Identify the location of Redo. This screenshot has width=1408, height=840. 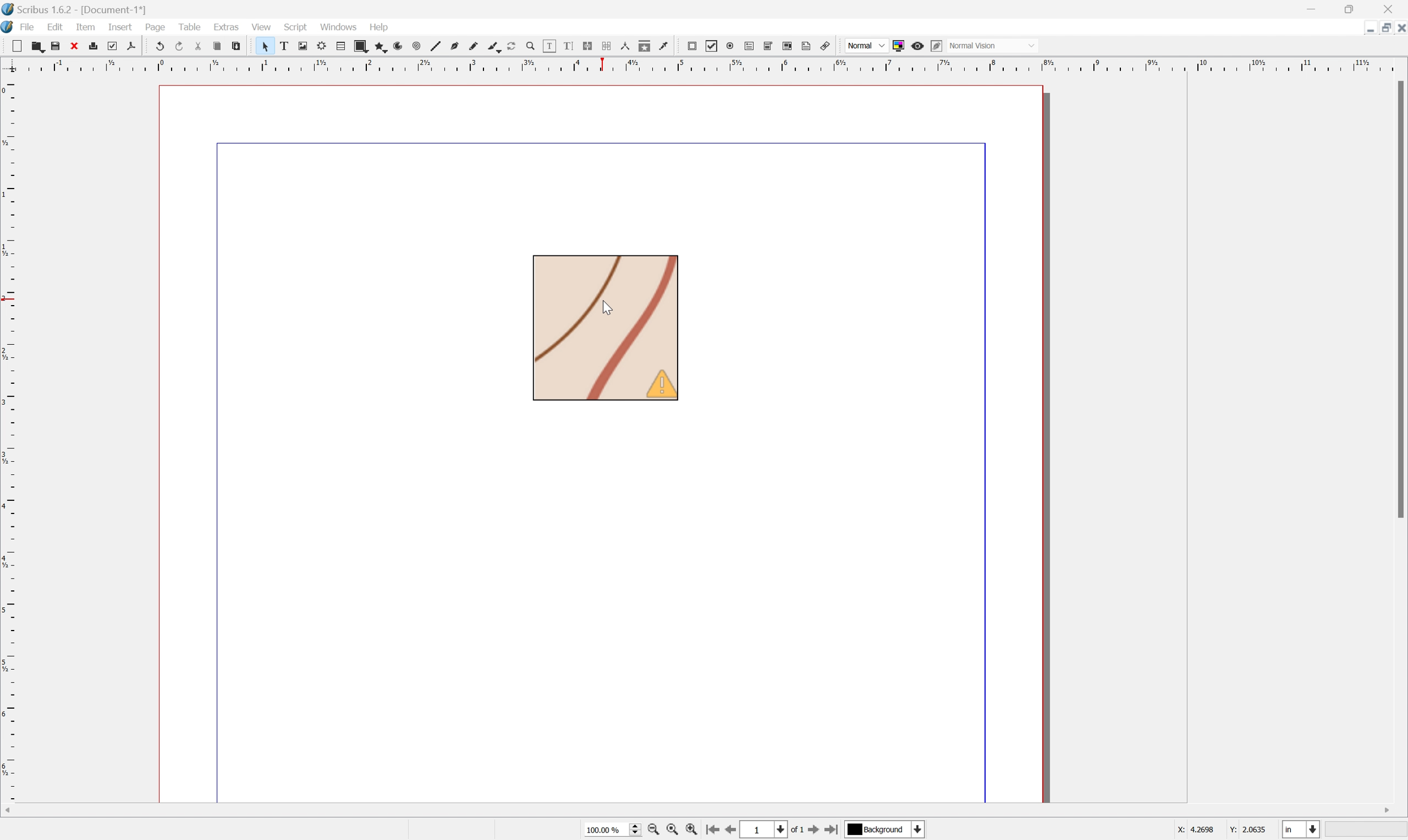
(183, 47).